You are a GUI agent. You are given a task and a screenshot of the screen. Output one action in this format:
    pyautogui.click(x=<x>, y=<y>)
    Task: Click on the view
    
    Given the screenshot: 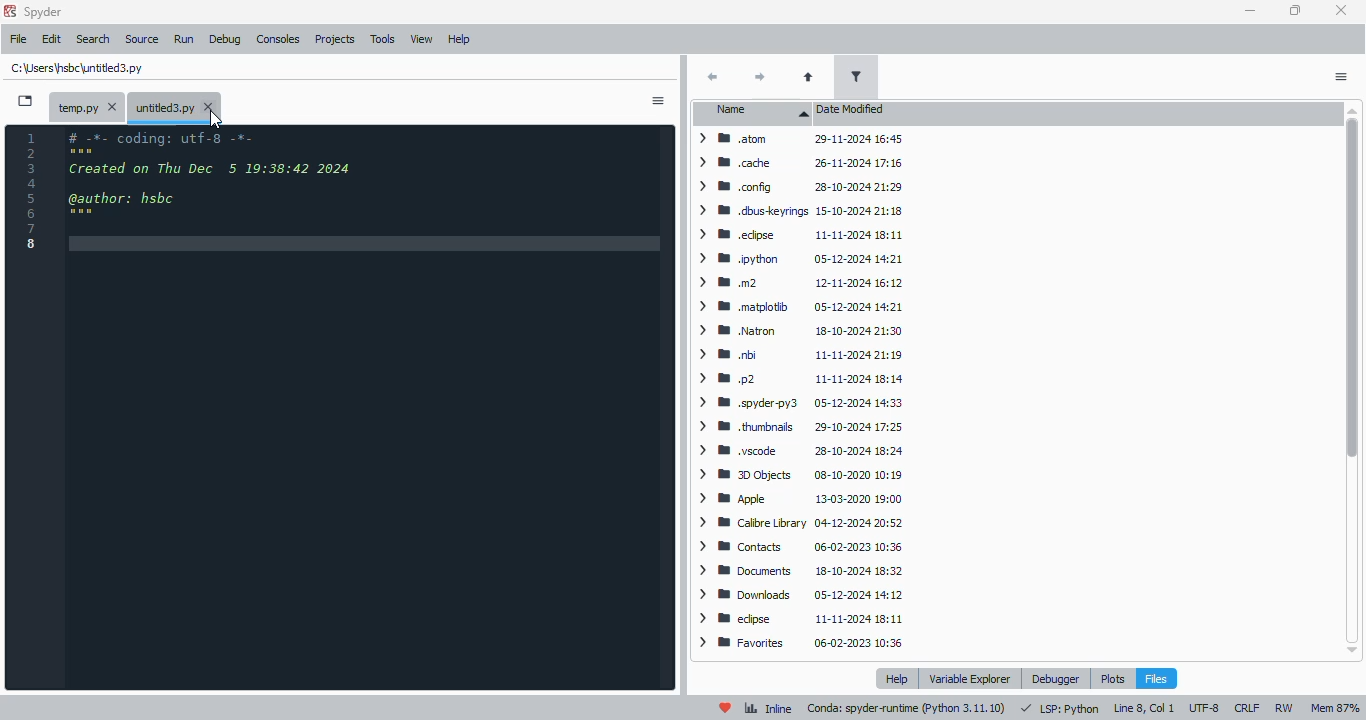 What is the action you would take?
    pyautogui.click(x=423, y=40)
    